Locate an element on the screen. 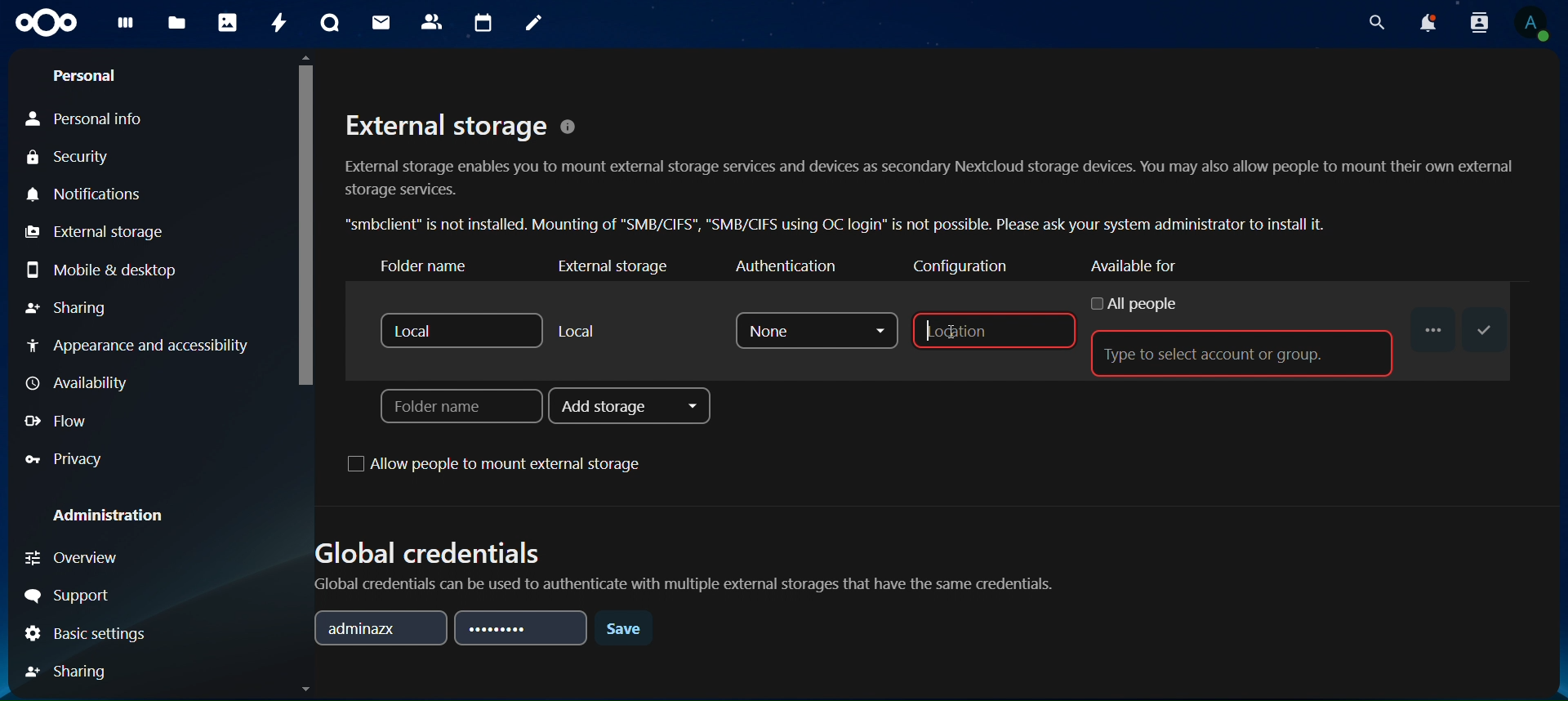 The image size is (1568, 701). notifications is located at coordinates (1429, 22).